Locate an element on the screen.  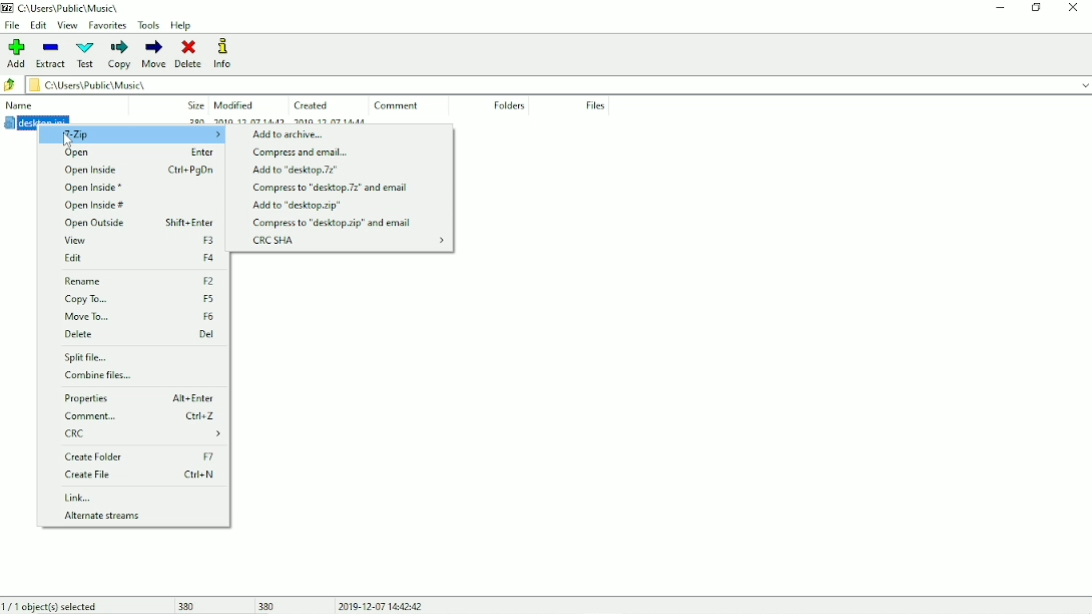
Add to "desktop.zip" is located at coordinates (297, 206).